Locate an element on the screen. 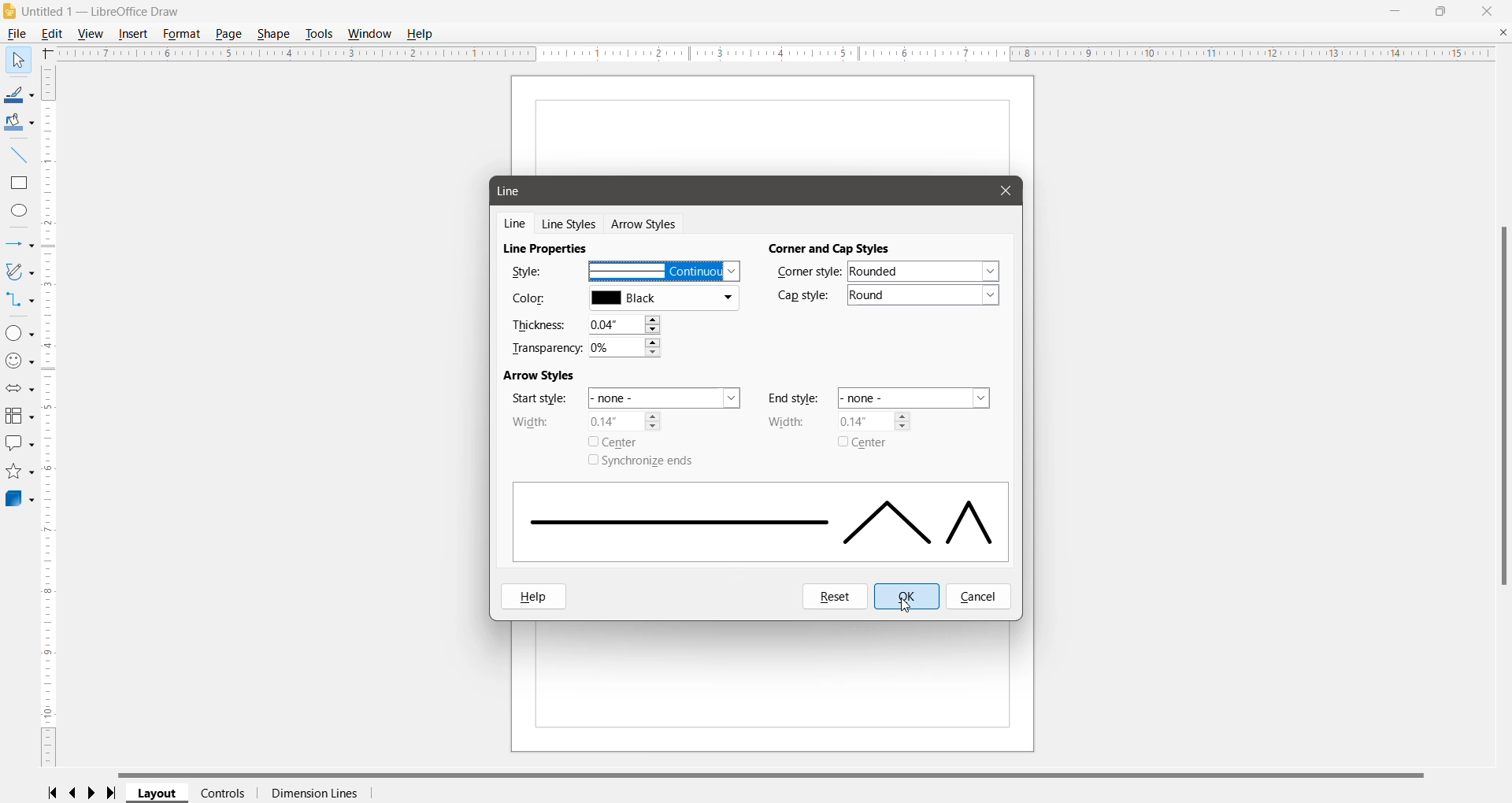 The width and height of the screenshot is (1512, 803). Scroll to first page is located at coordinates (54, 793).